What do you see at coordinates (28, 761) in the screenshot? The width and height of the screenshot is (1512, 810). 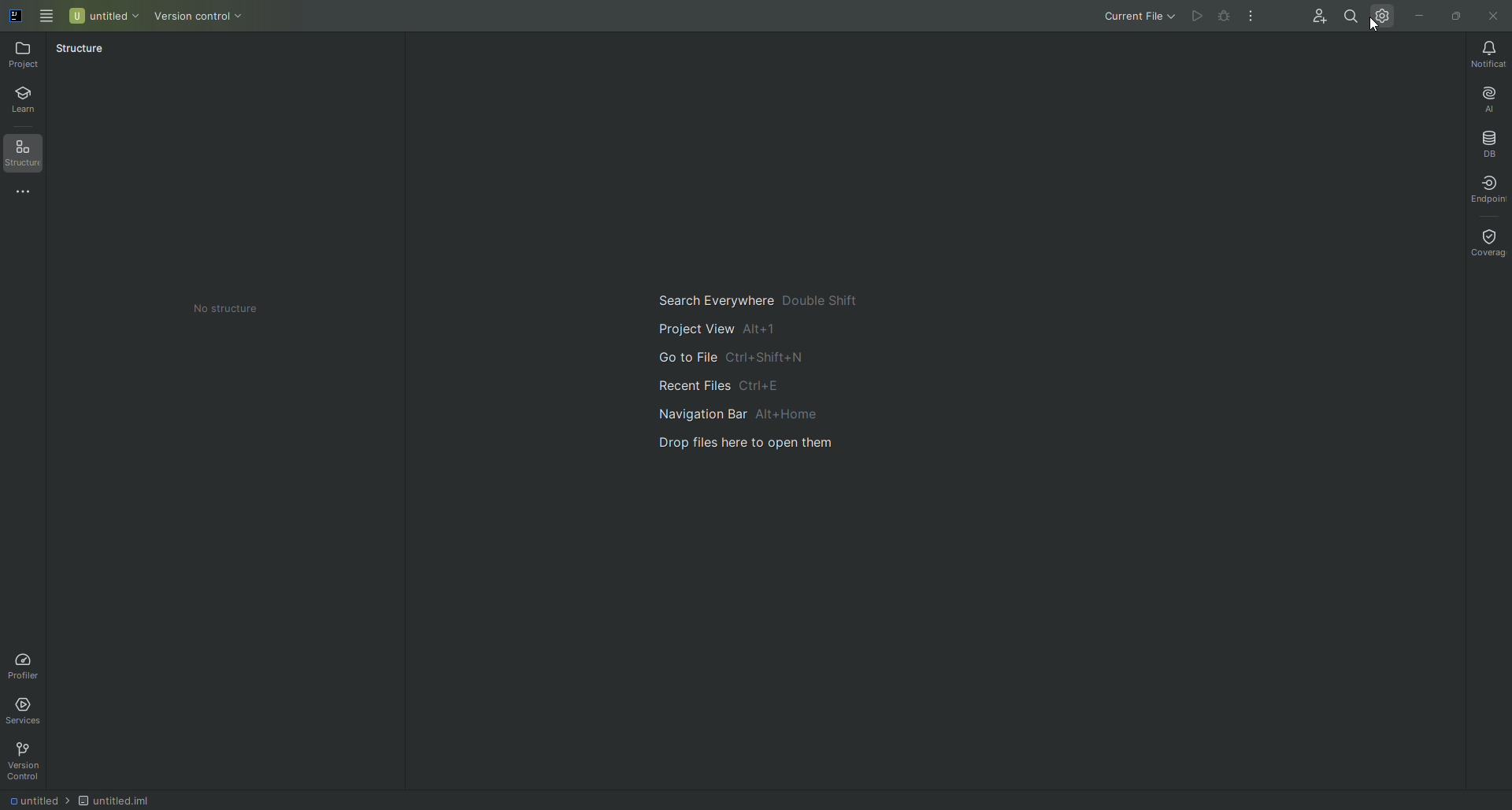 I see `Version Control` at bounding box center [28, 761].